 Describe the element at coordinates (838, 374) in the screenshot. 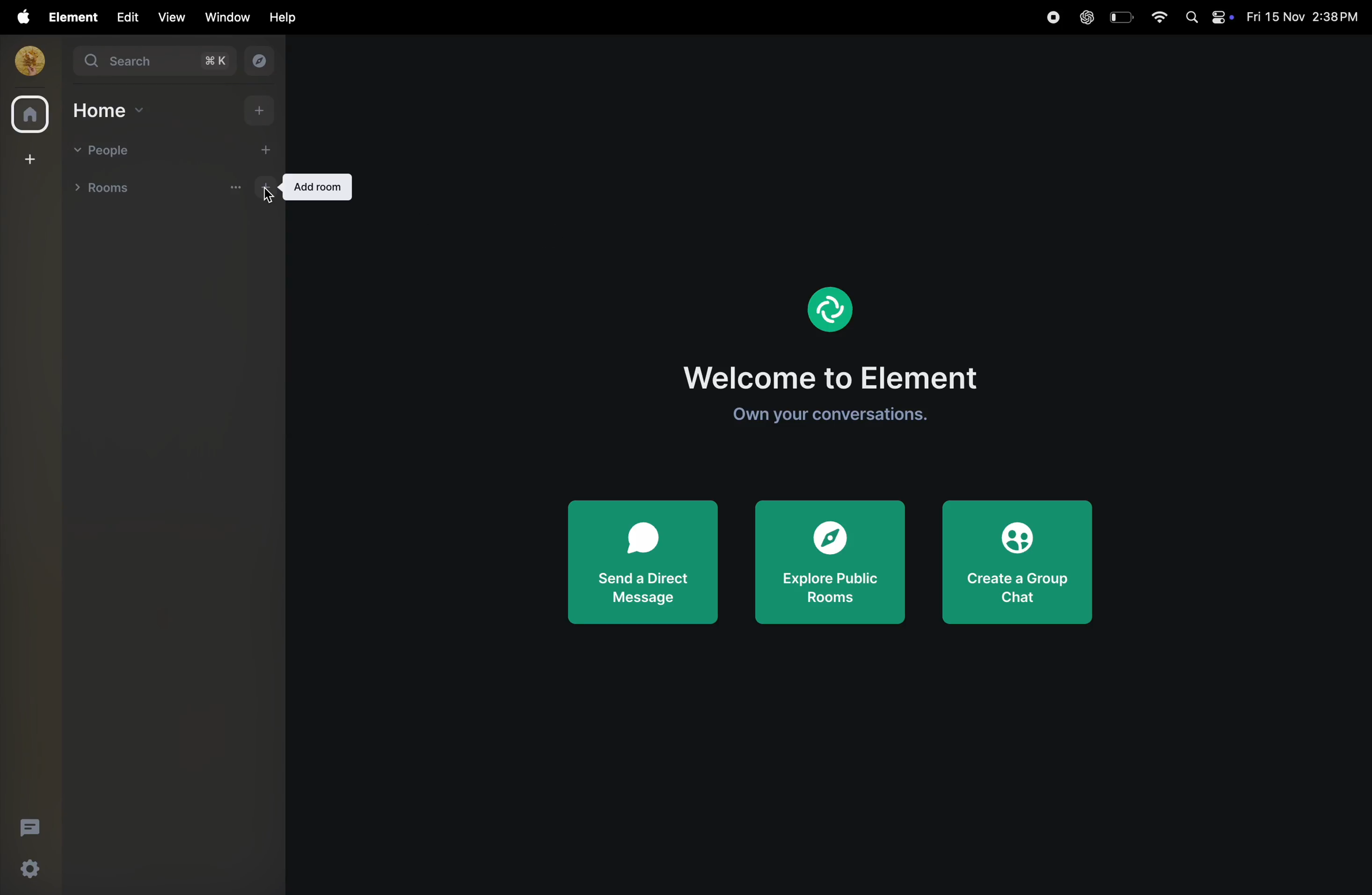

I see `Welcome to Element` at that location.